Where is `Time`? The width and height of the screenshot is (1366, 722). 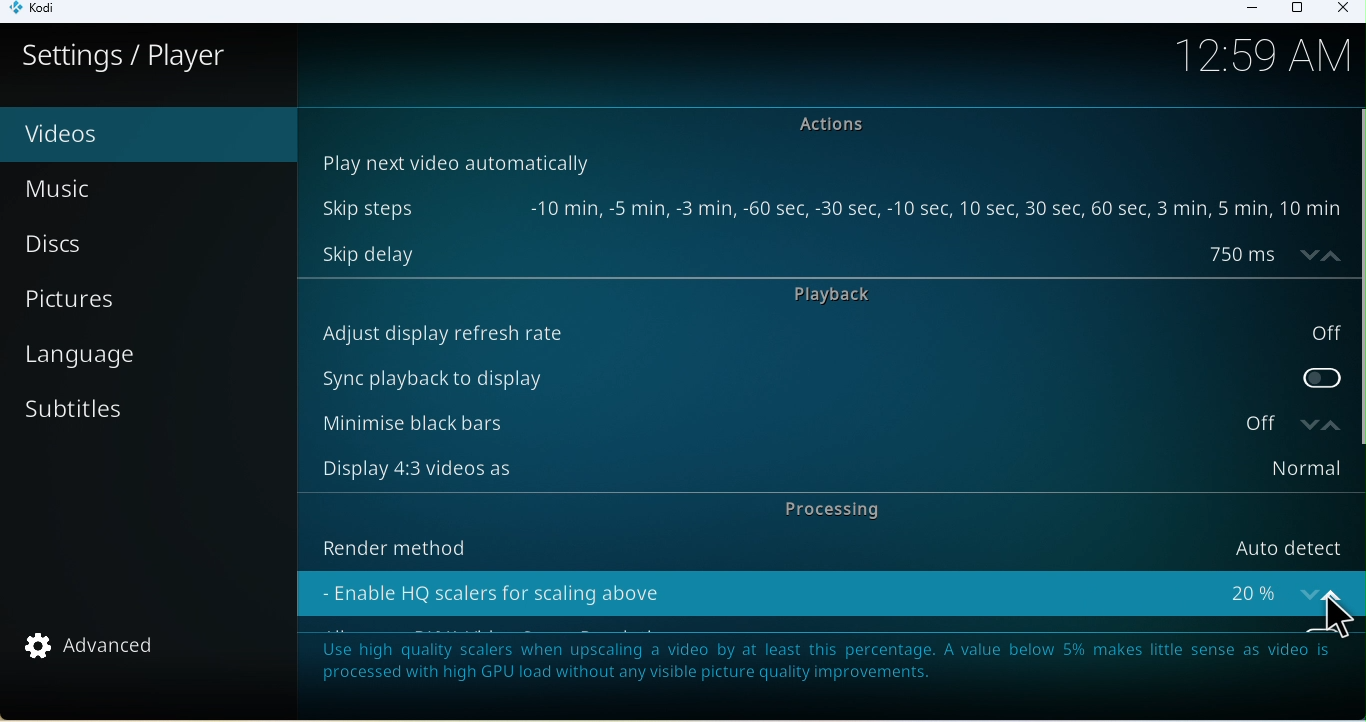
Time is located at coordinates (1271, 59).